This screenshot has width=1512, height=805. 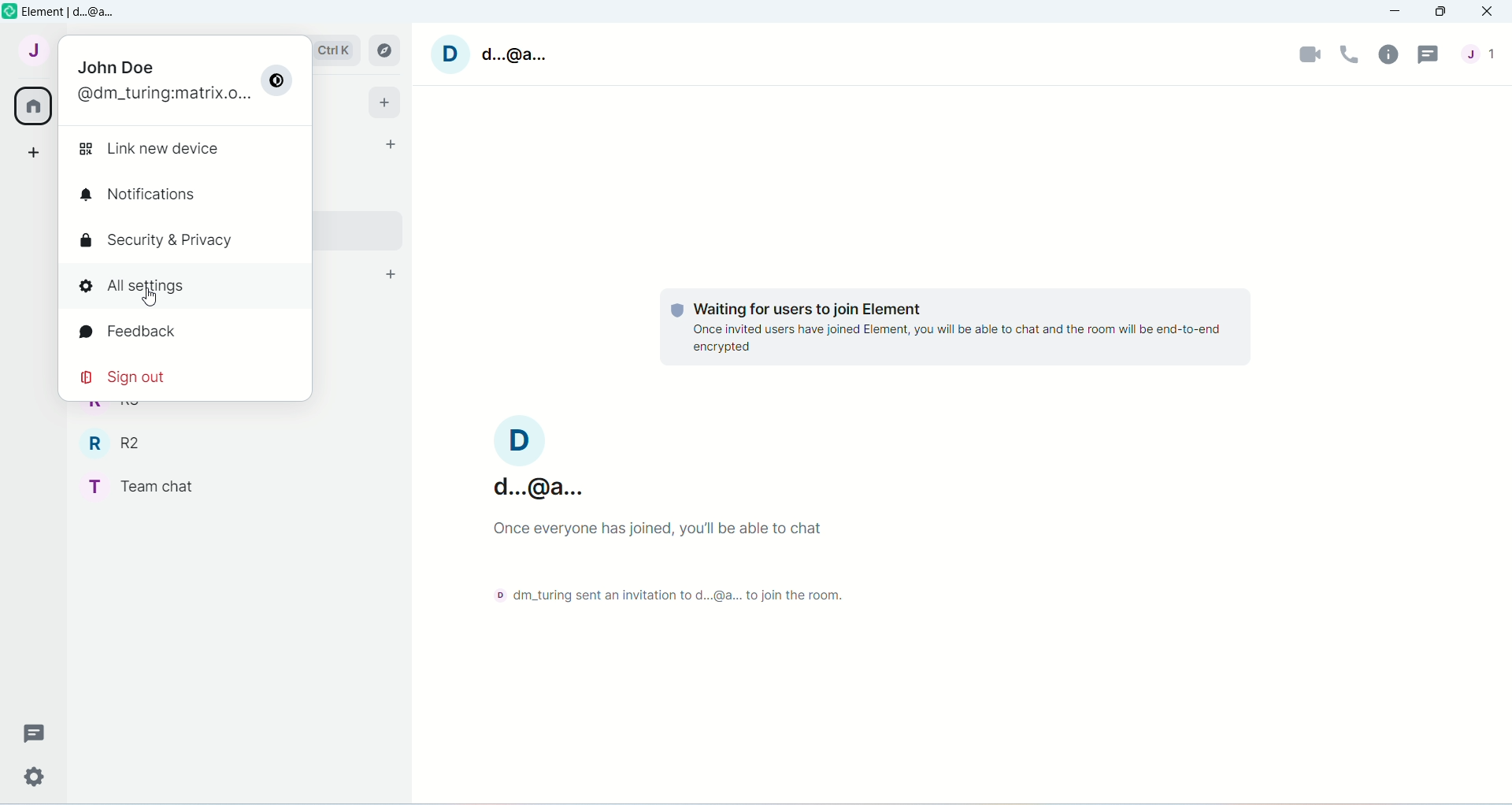 I want to click on Signout, so click(x=134, y=376).